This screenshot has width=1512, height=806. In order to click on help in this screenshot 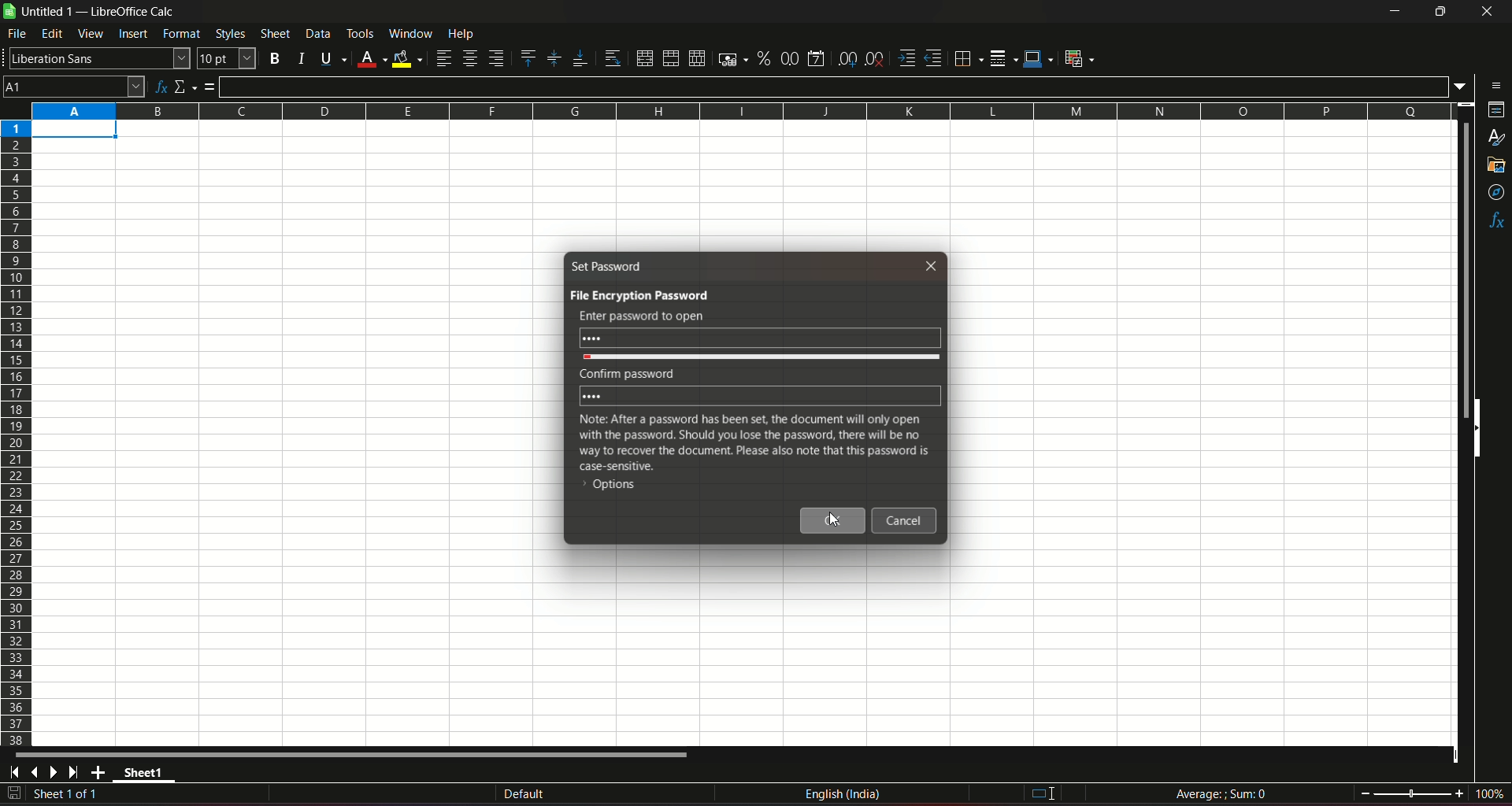, I will do `click(472, 35)`.